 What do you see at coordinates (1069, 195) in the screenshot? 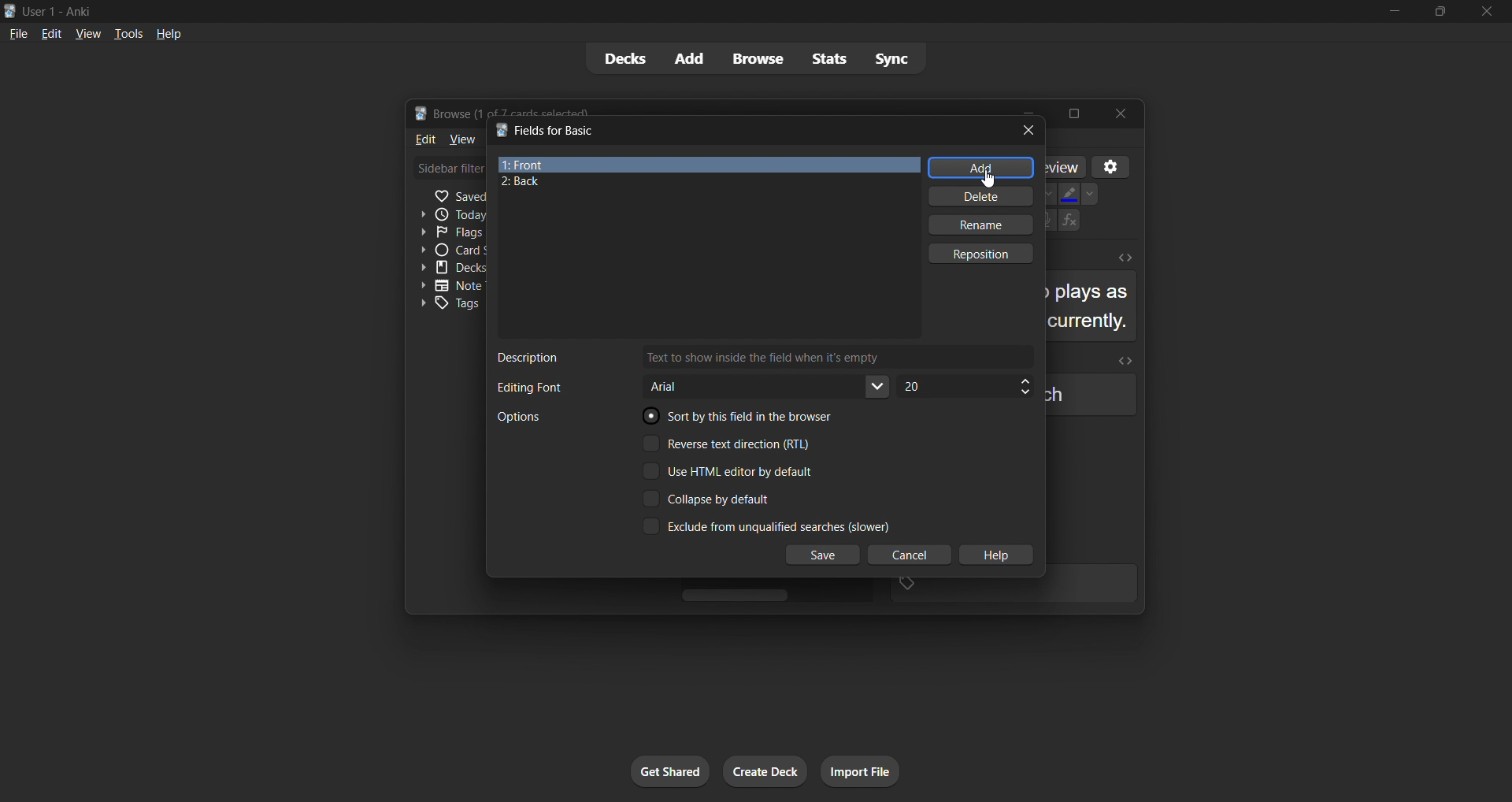
I see `Fill color` at bounding box center [1069, 195].